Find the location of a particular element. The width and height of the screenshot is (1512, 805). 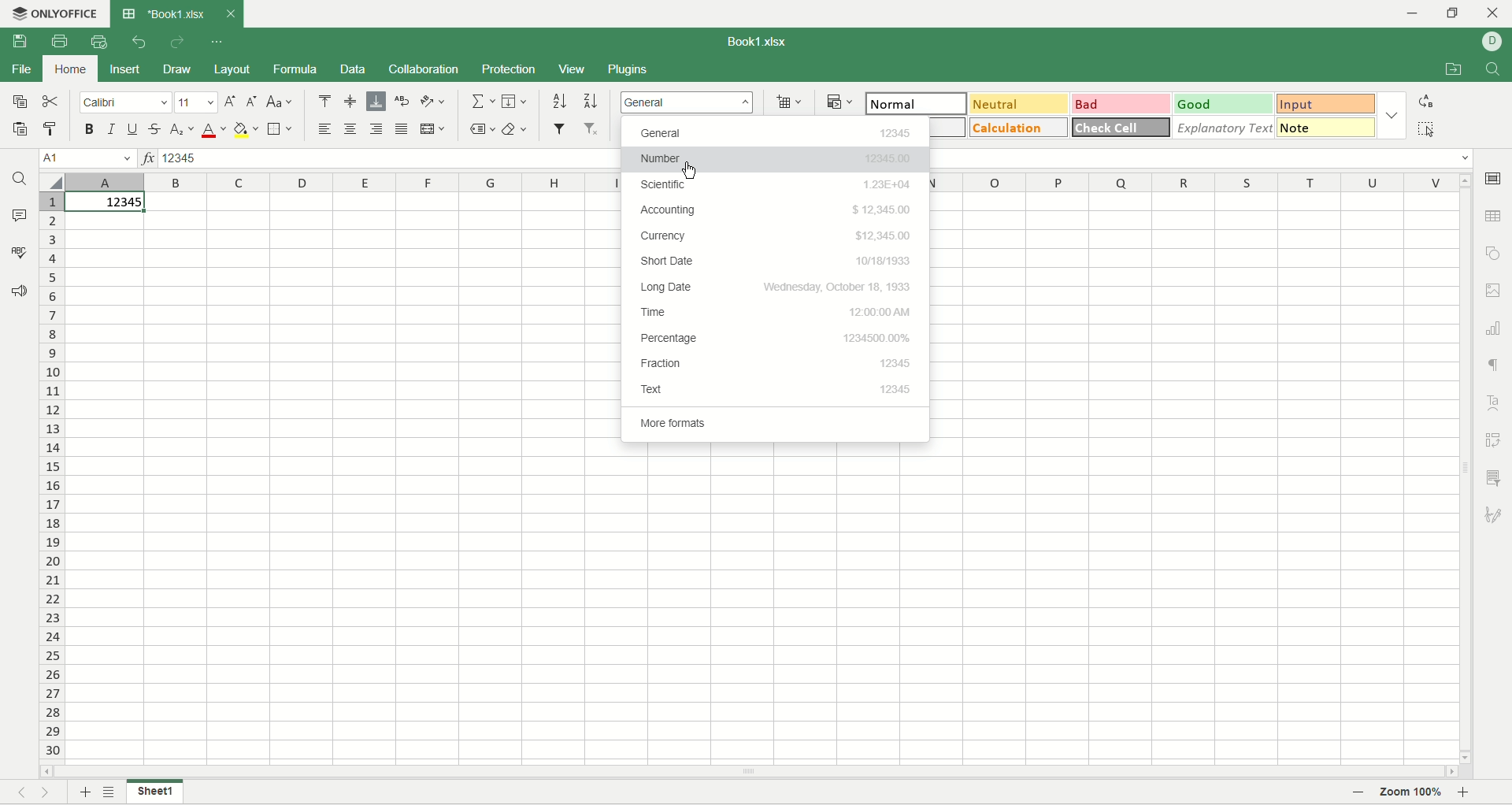

input line is located at coordinates (1201, 161).